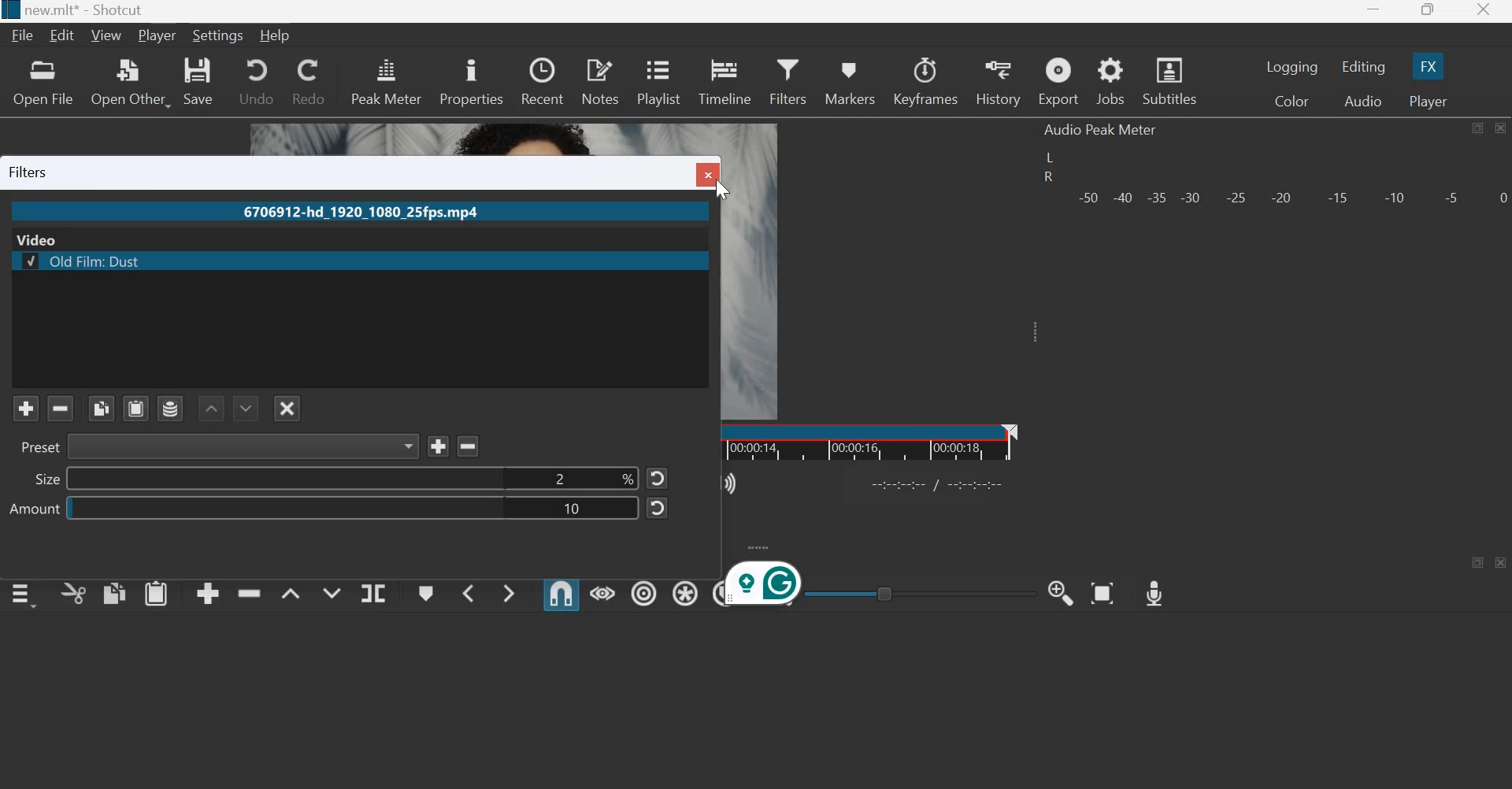  I want to click on copy, so click(115, 592).